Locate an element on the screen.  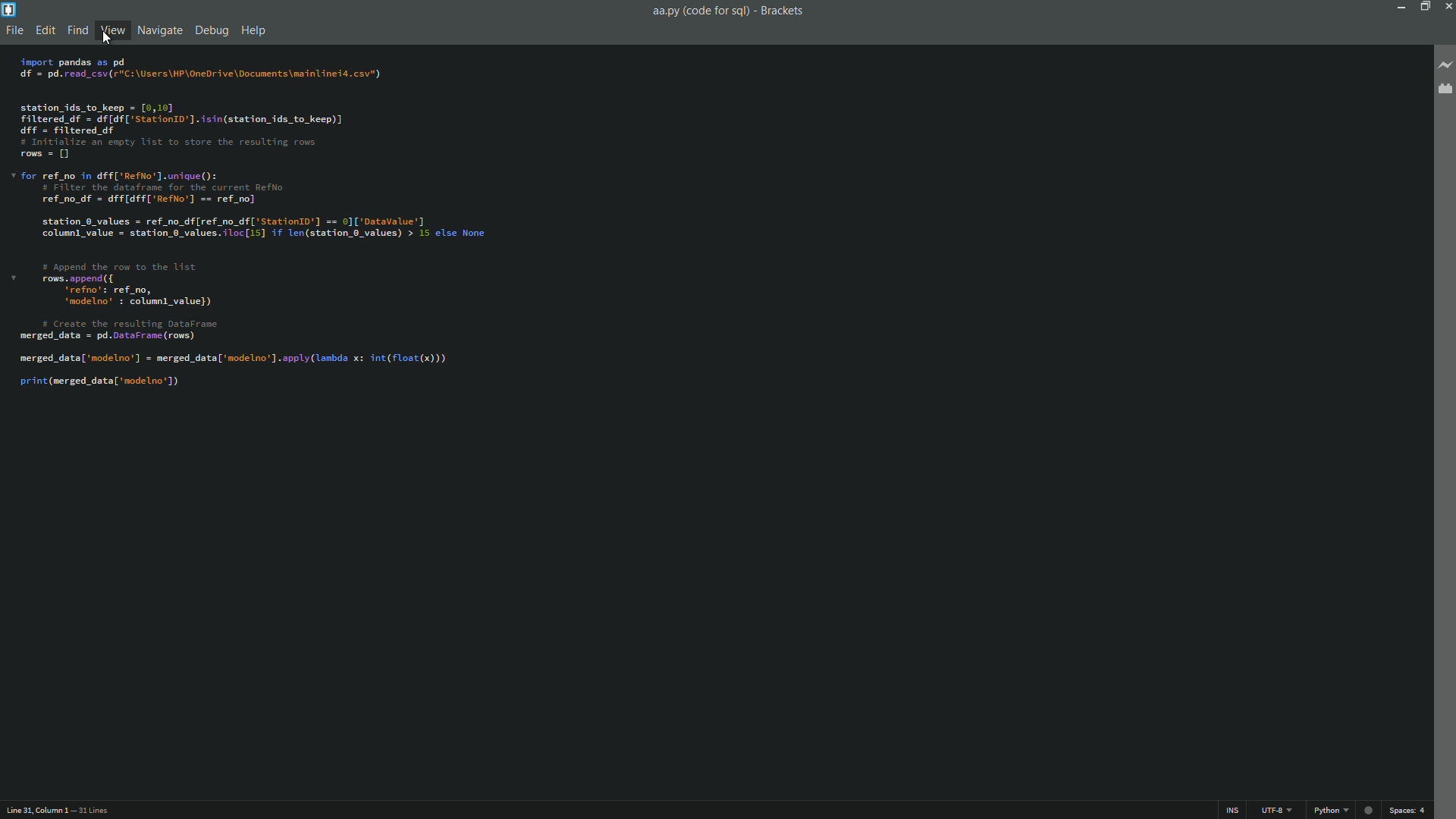
navigate menu is located at coordinates (160, 31).